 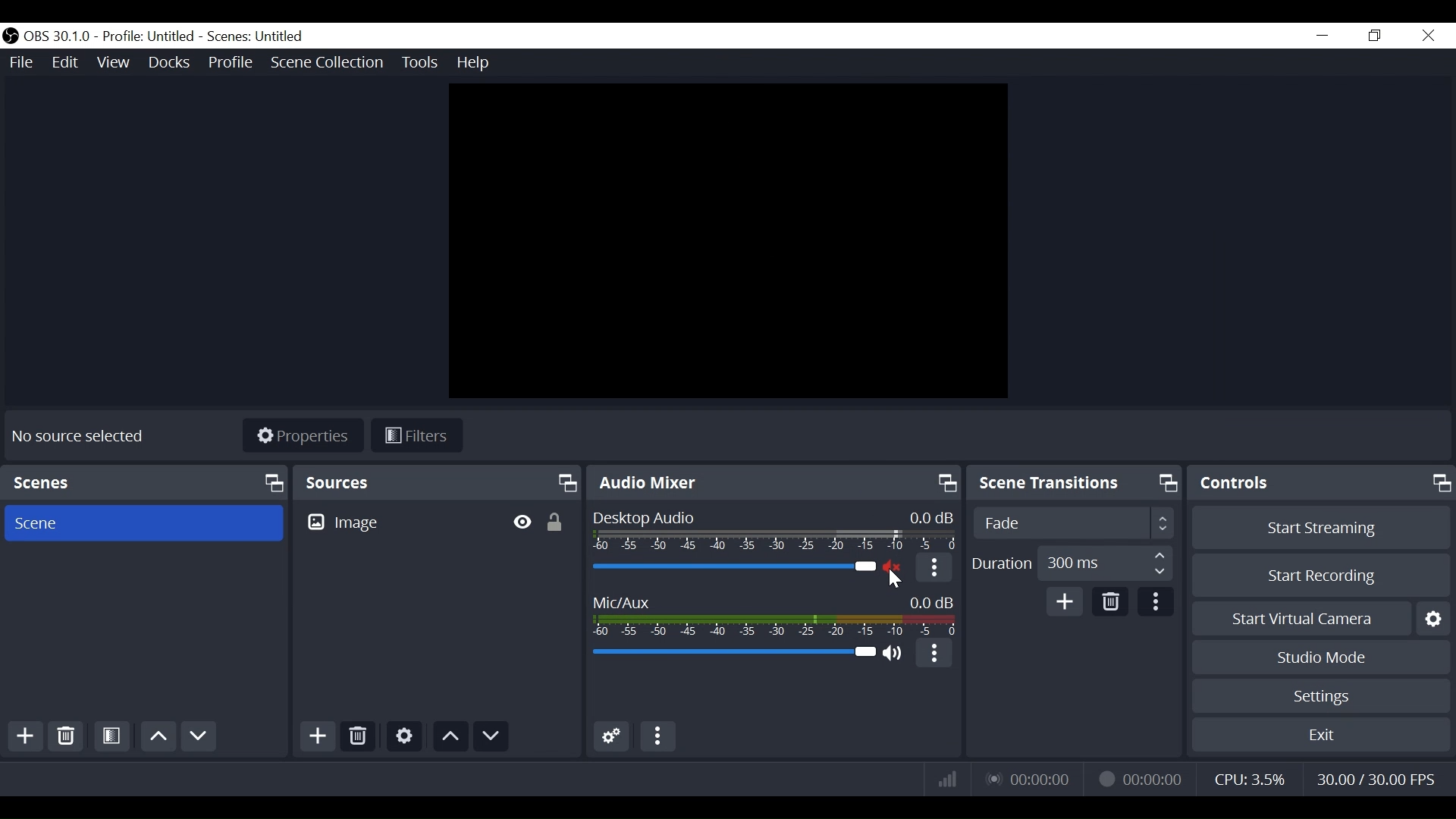 What do you see at coordinates (24, 63) in the screenshot?
I see `File` at bounding box center [24, 63].